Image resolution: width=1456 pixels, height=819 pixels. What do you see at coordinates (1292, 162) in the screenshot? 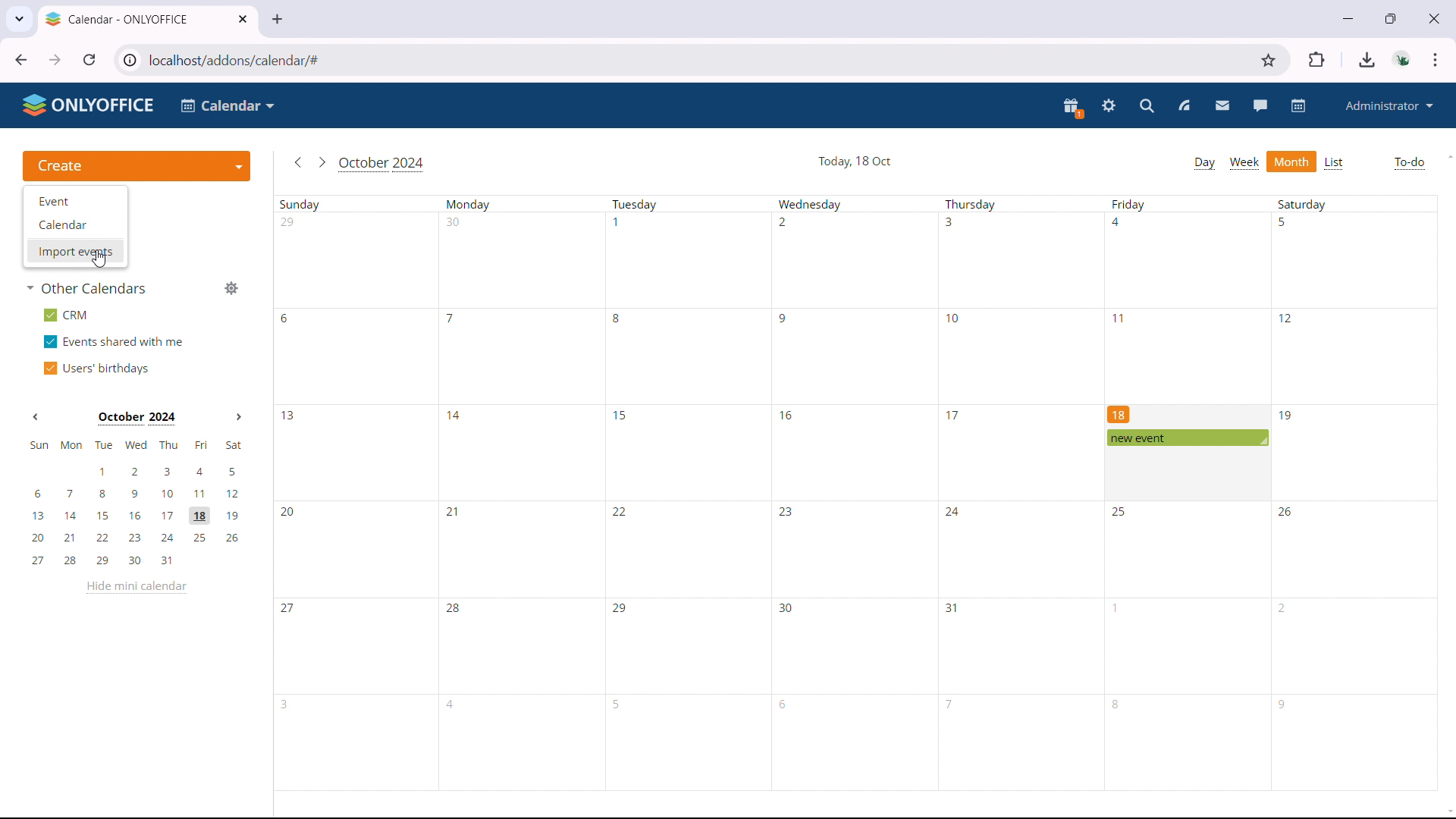
I see `month` at bounding box center [1292, 162].